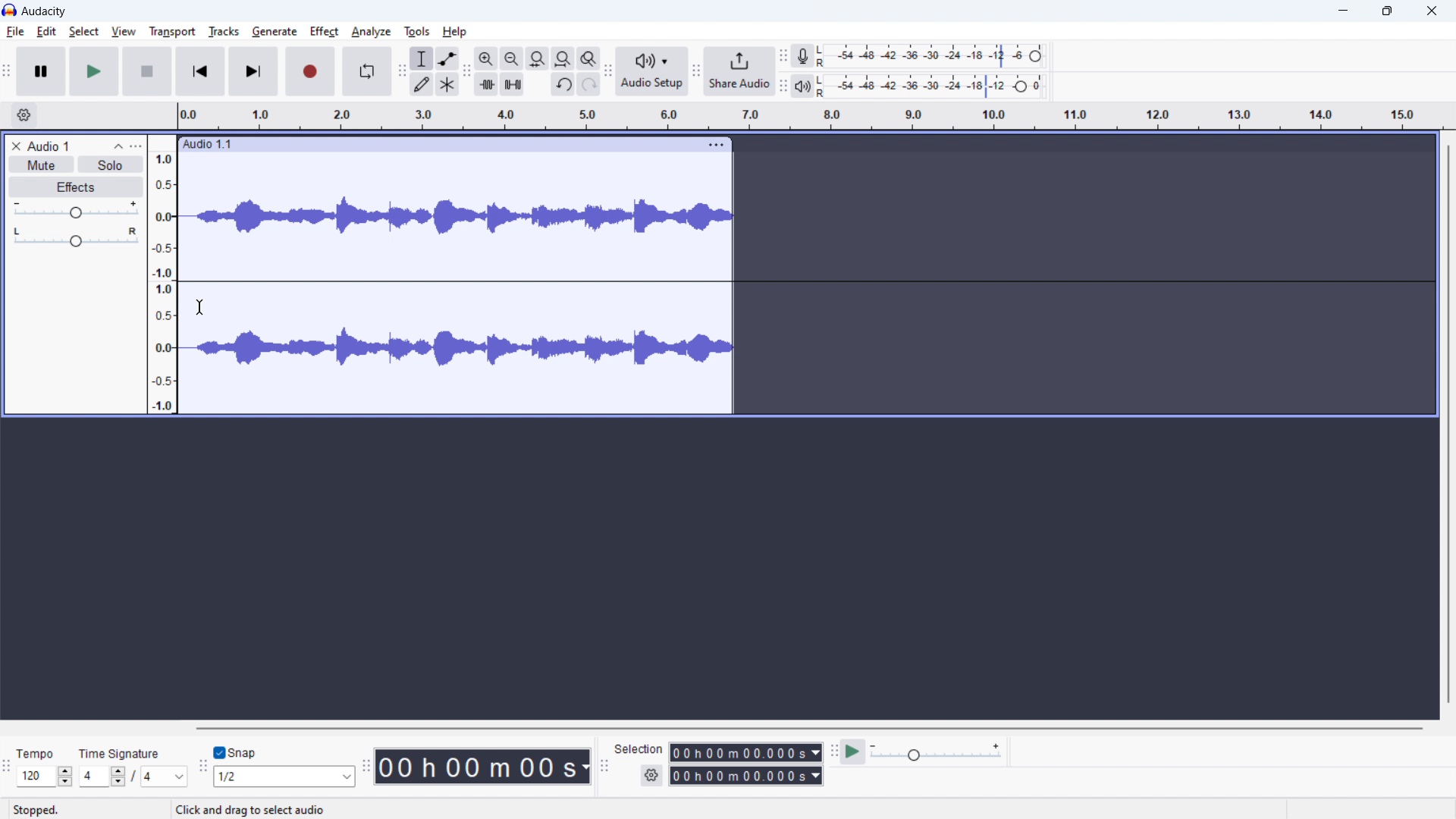  What do you see at coordinates (94, 777) in the screenshot?
I see `time signature beats per measure` at bounding box center [94, 777].